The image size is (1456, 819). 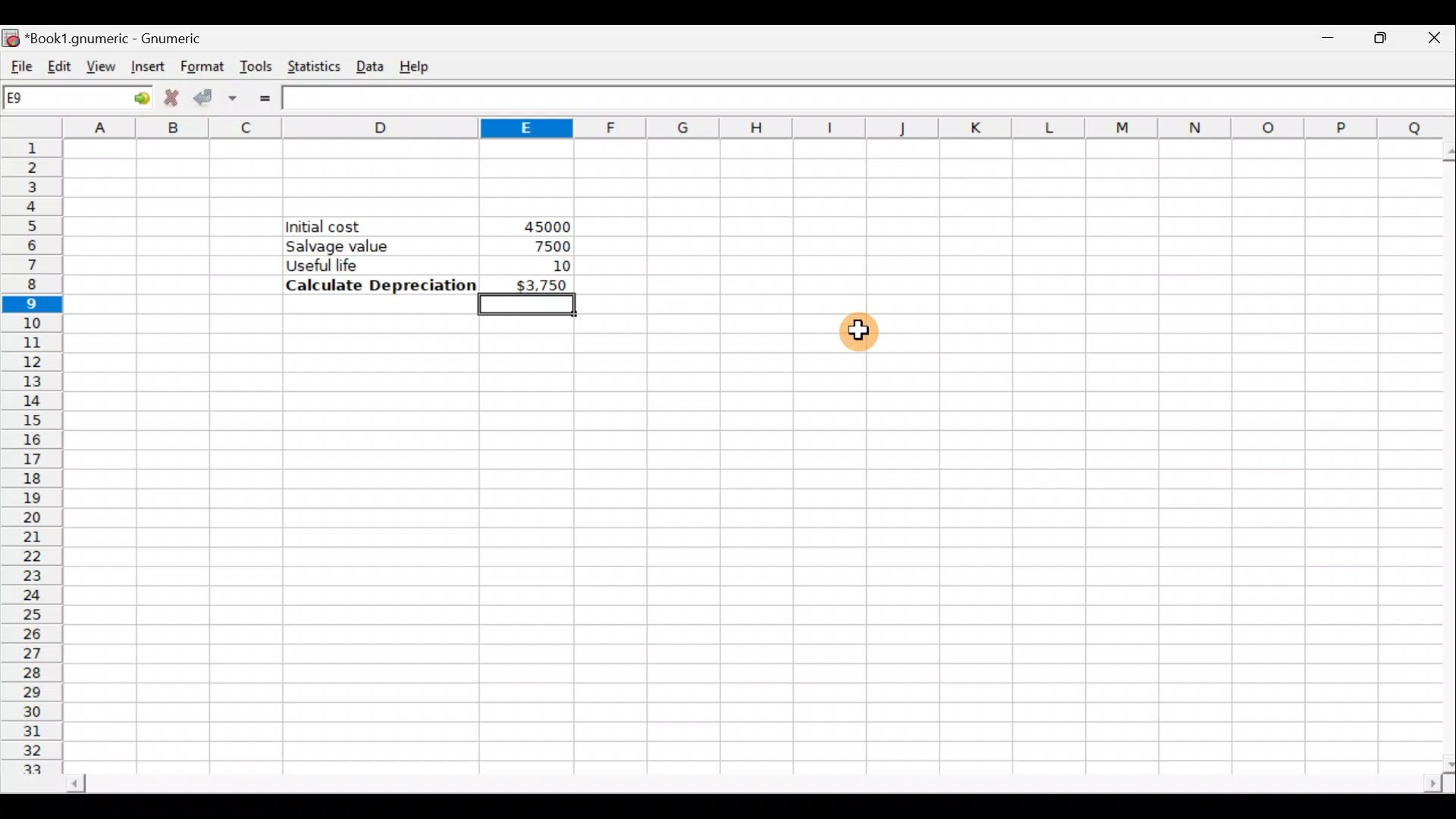 I want to click on Cell name E9, so click(x=51, y=101).